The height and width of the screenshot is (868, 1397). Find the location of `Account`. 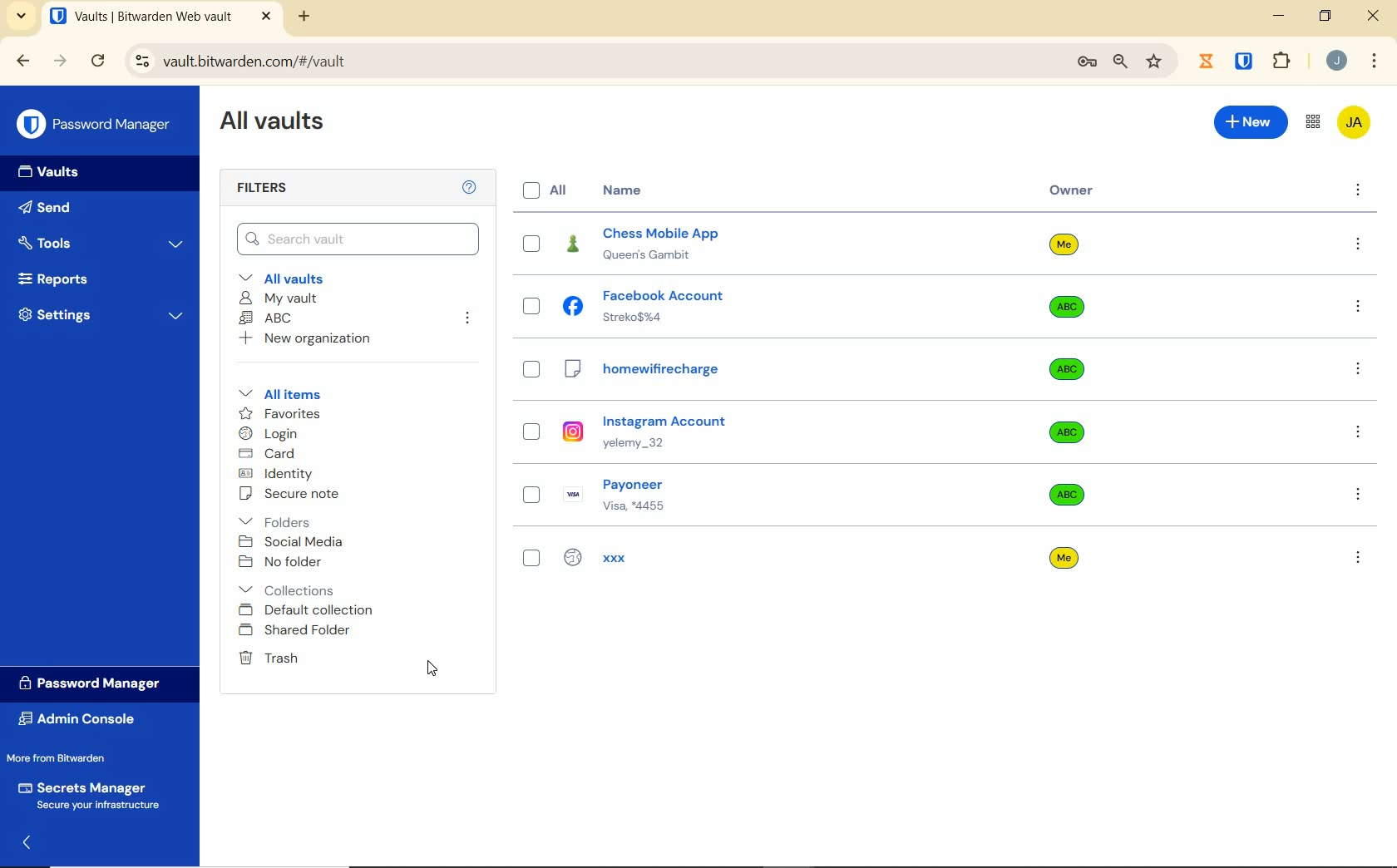

Account is located at coordinates (1336, 62).